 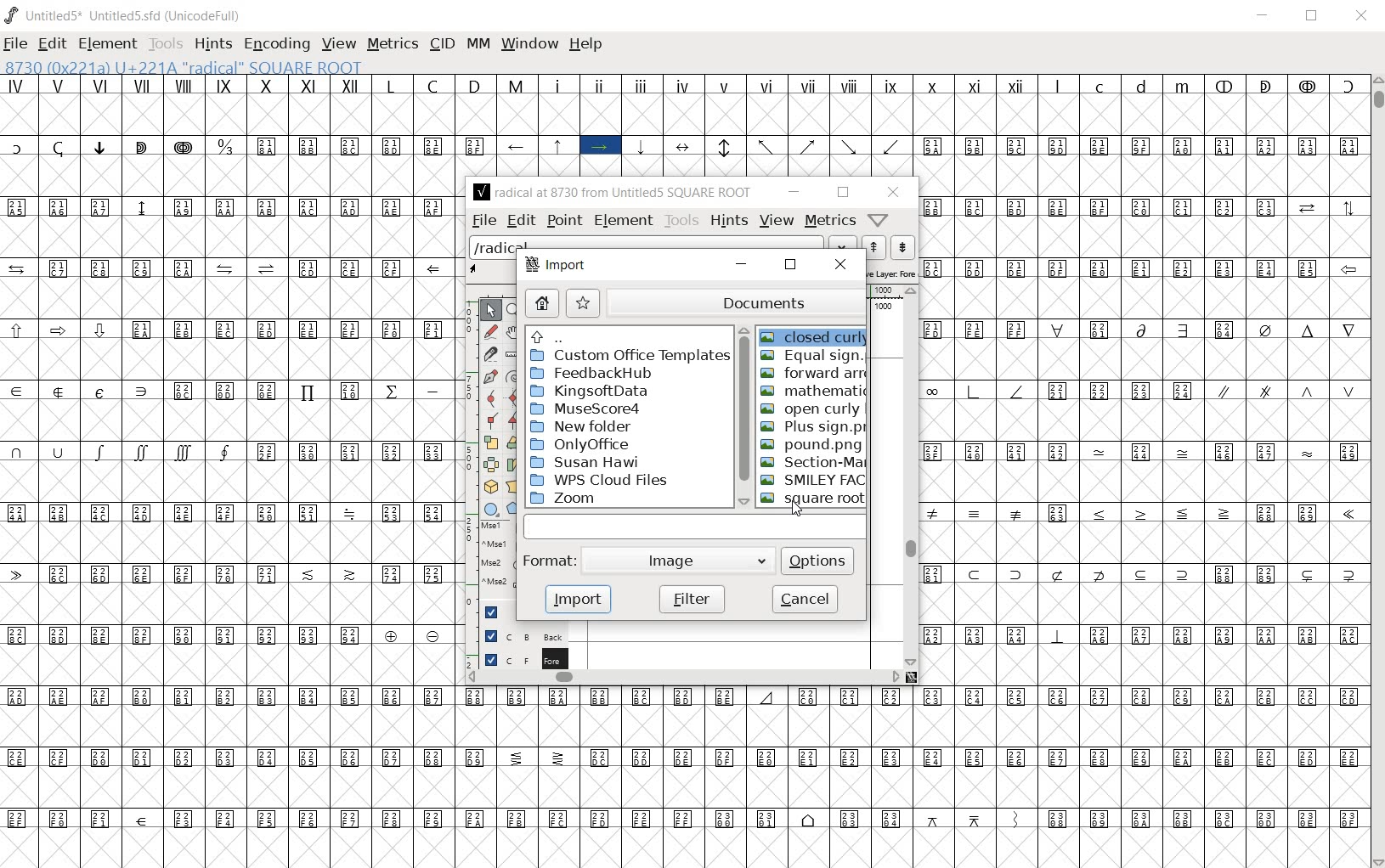 What do you see at coordinates (816, 463) in the screenshot?
I see `Section-Mark` at bounding box center [816, 463].